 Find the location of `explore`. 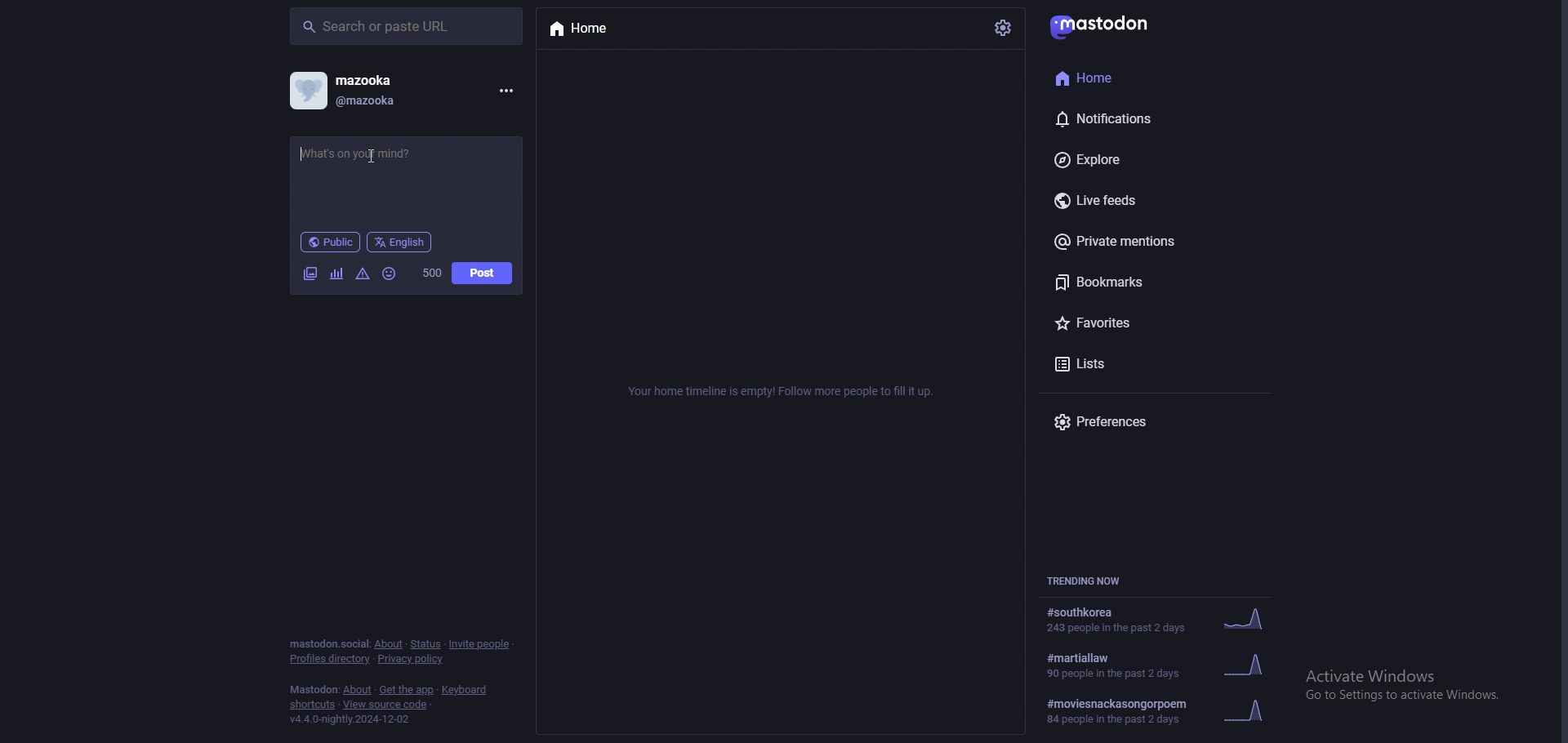

explore is located at coordinates (1125, 159).